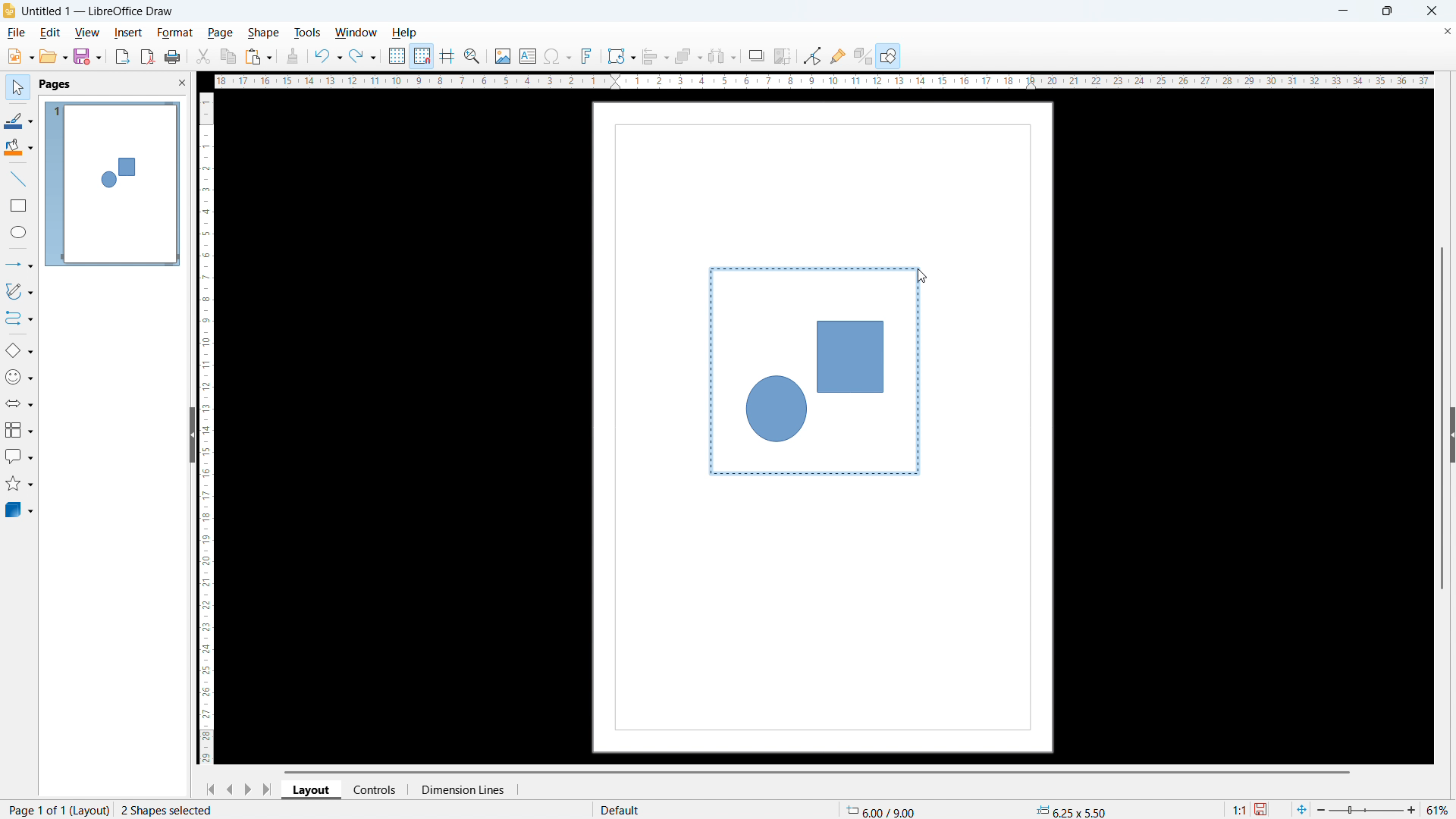  I want to click on previous page, so click(231, 789).